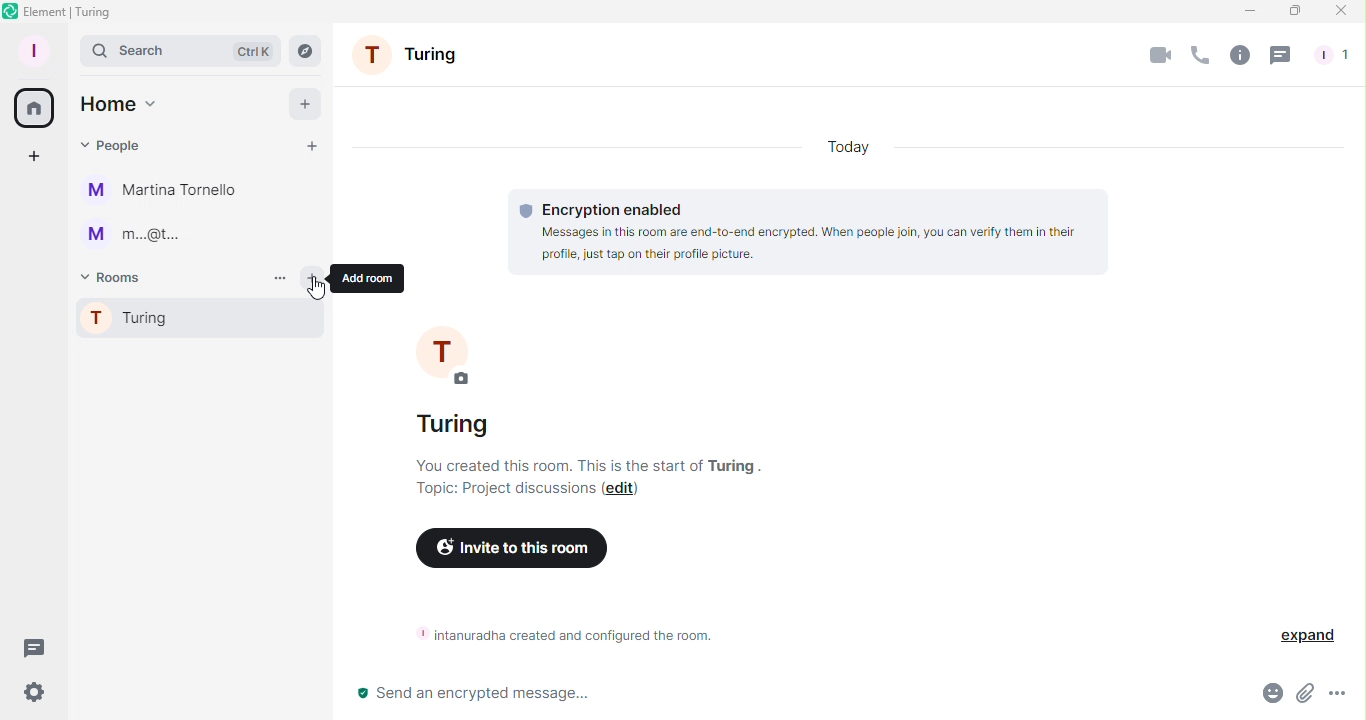 This screenshot has height=720, width=1366. Describe the element at coordinates (501, 489) in the screenshot. I see `Topic` at that location.